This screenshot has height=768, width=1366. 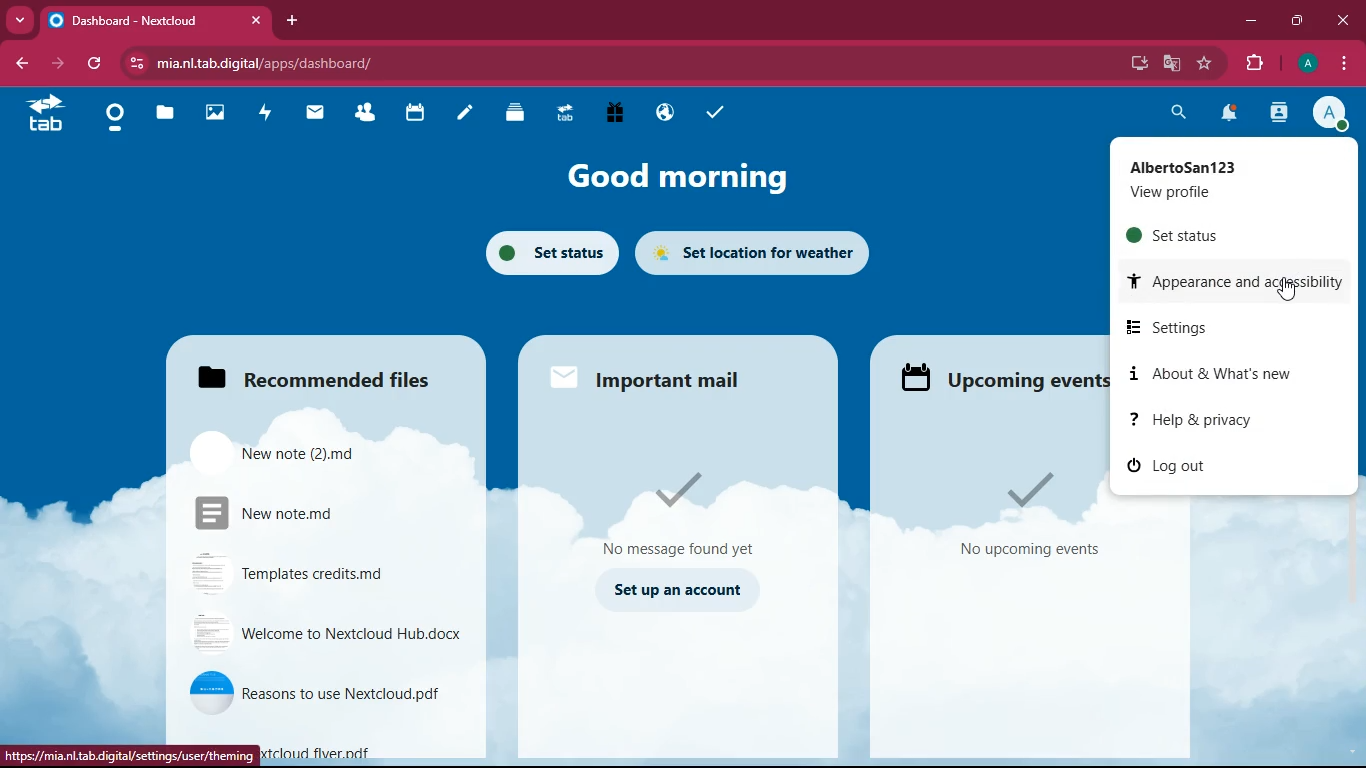 What do you see at coordinates (295, 20) in the screenshot?
I see `add tab` at bounding box center [295, 20].